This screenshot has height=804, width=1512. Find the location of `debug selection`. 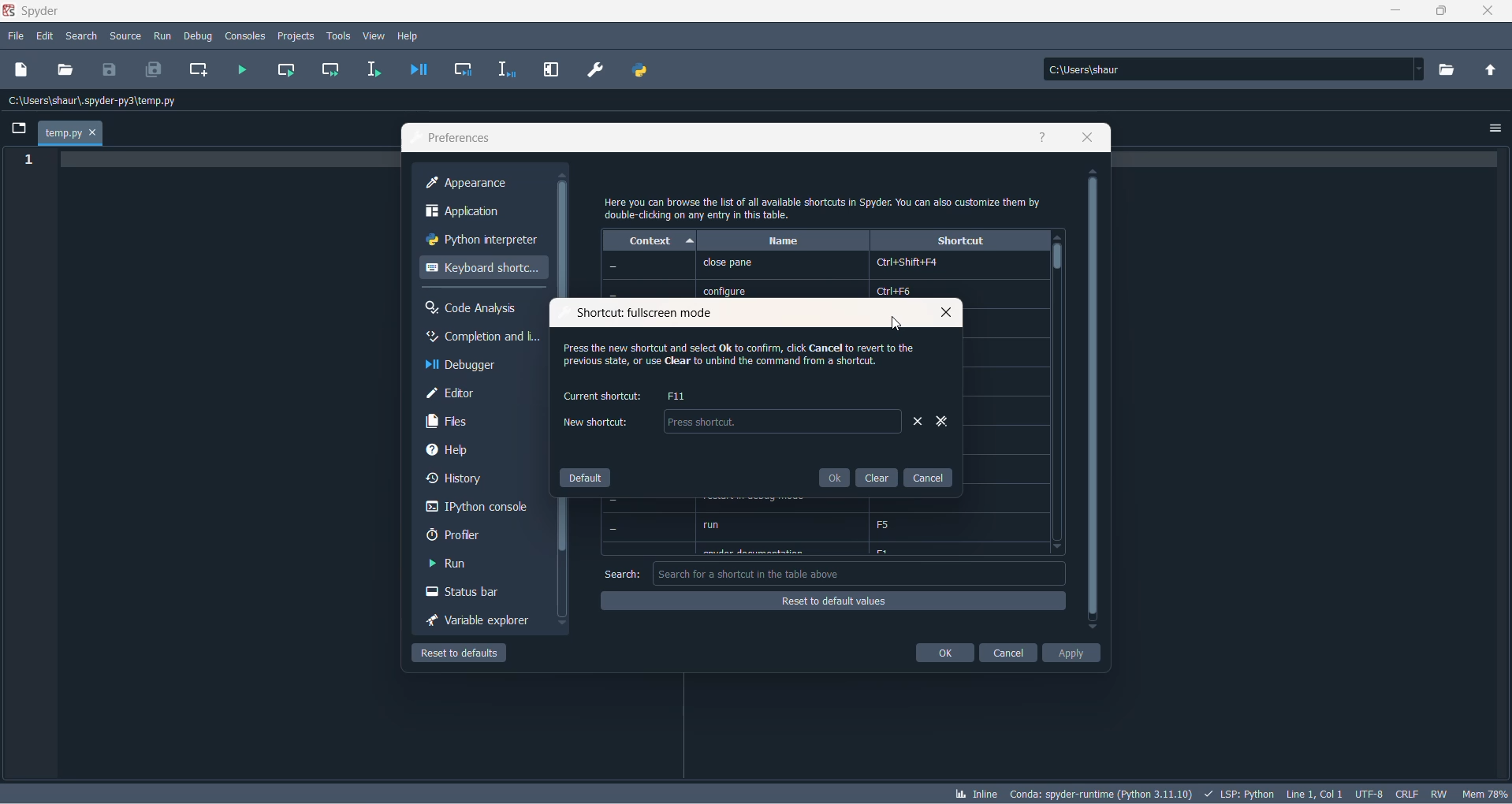

debug selection is located at coordinates (505, 71).